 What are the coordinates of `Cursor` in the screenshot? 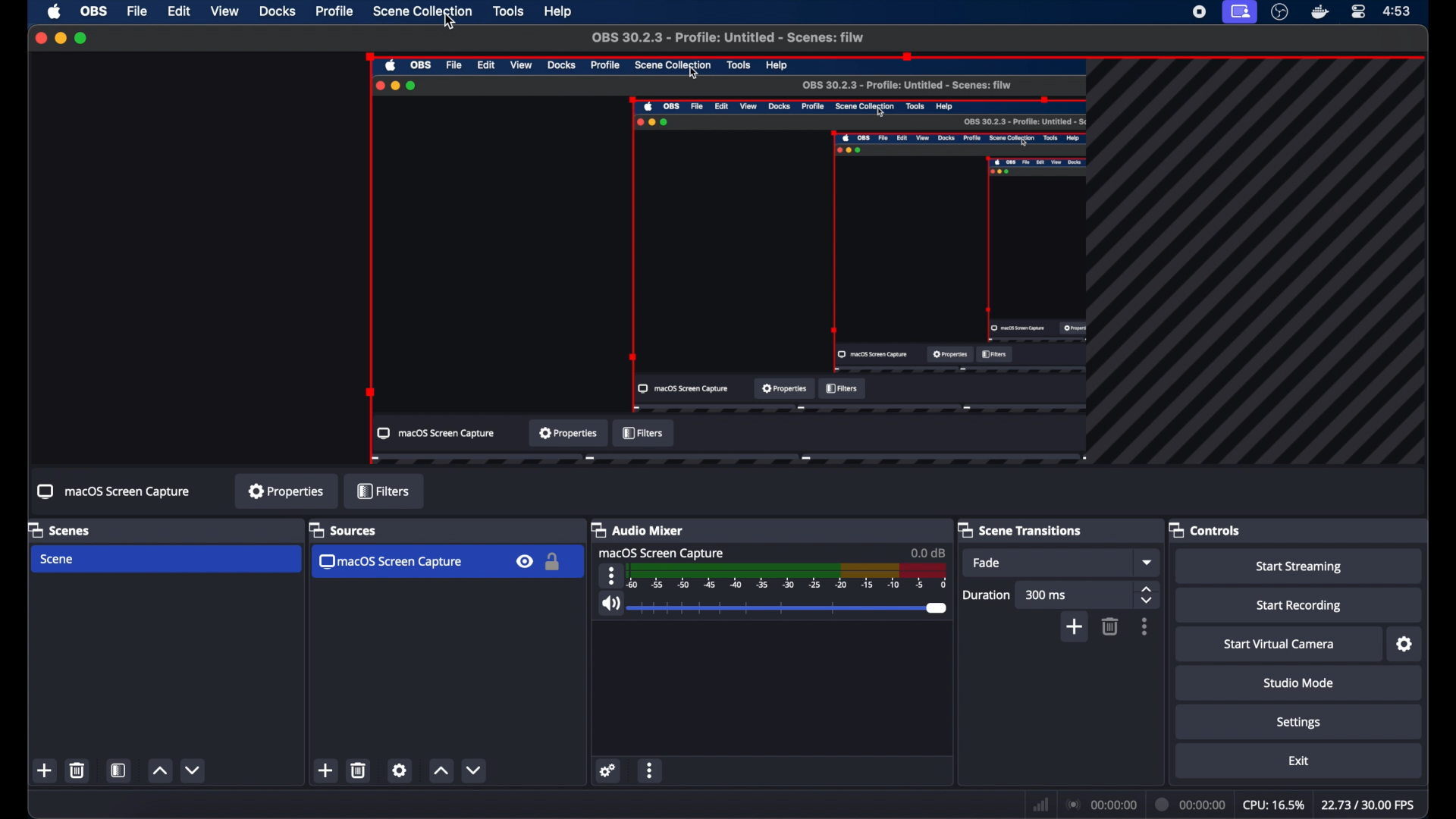 It's located at (447, 23).